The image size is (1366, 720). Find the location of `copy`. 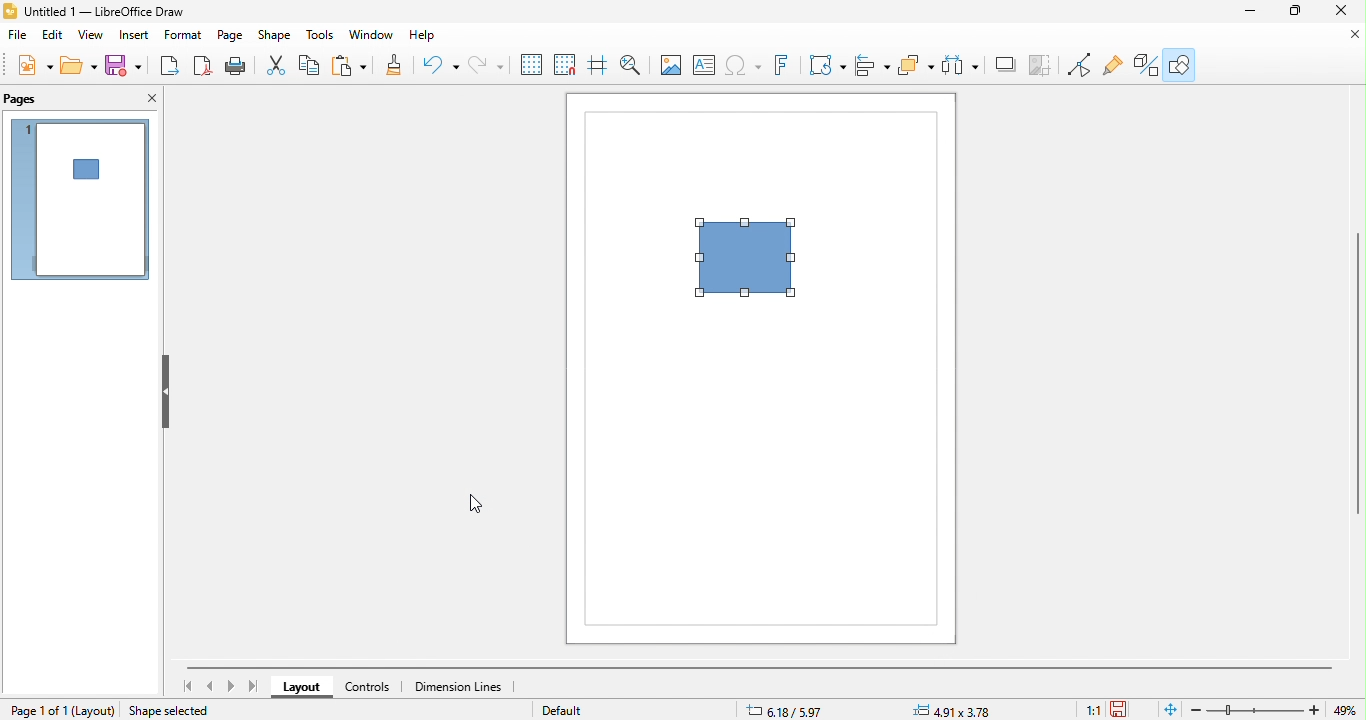

copy is located at coordinates (312, 67).